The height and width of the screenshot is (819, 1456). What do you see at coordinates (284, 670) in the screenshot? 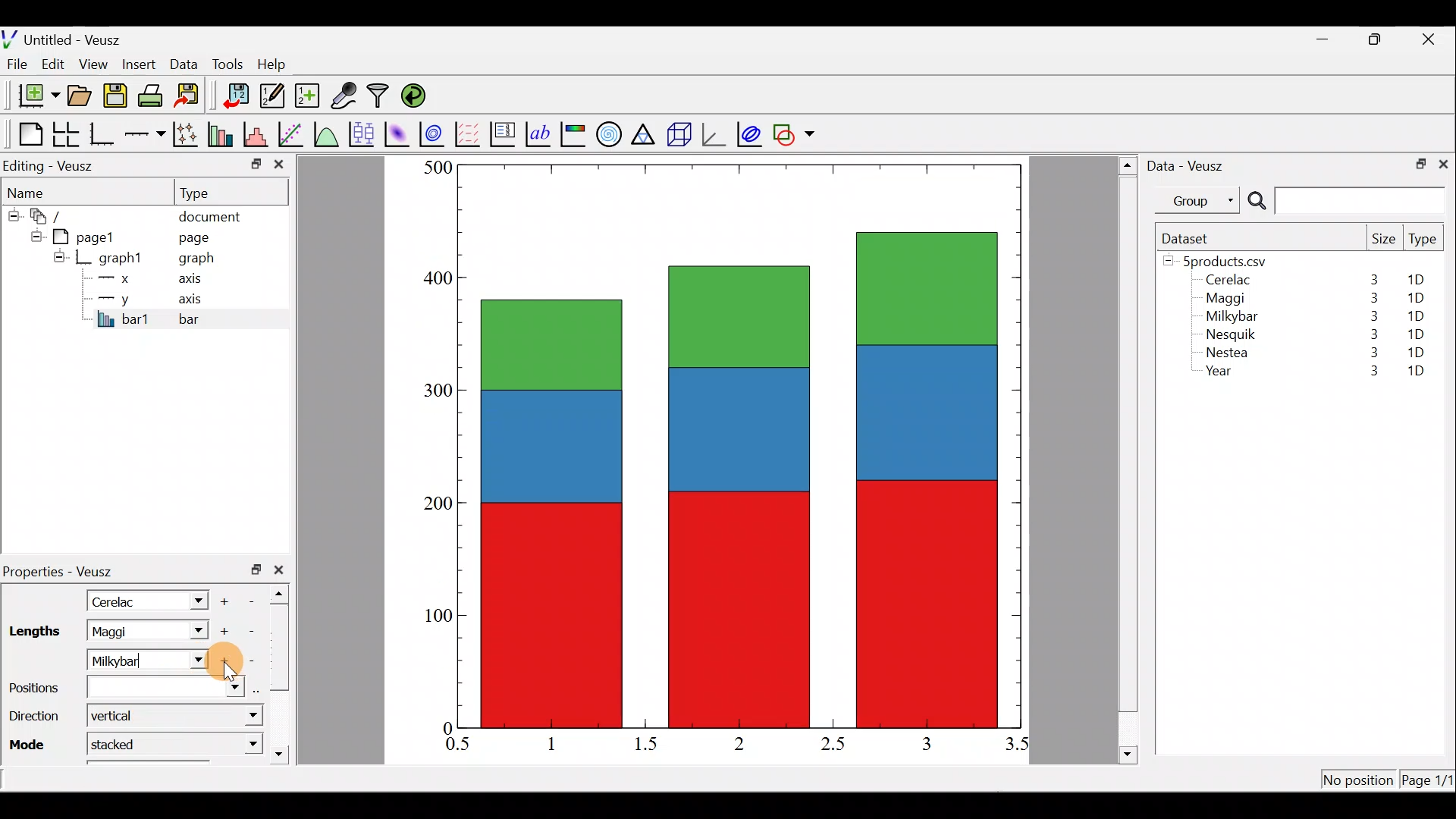
I see `scroll bar` at bounding box center [284, 670].